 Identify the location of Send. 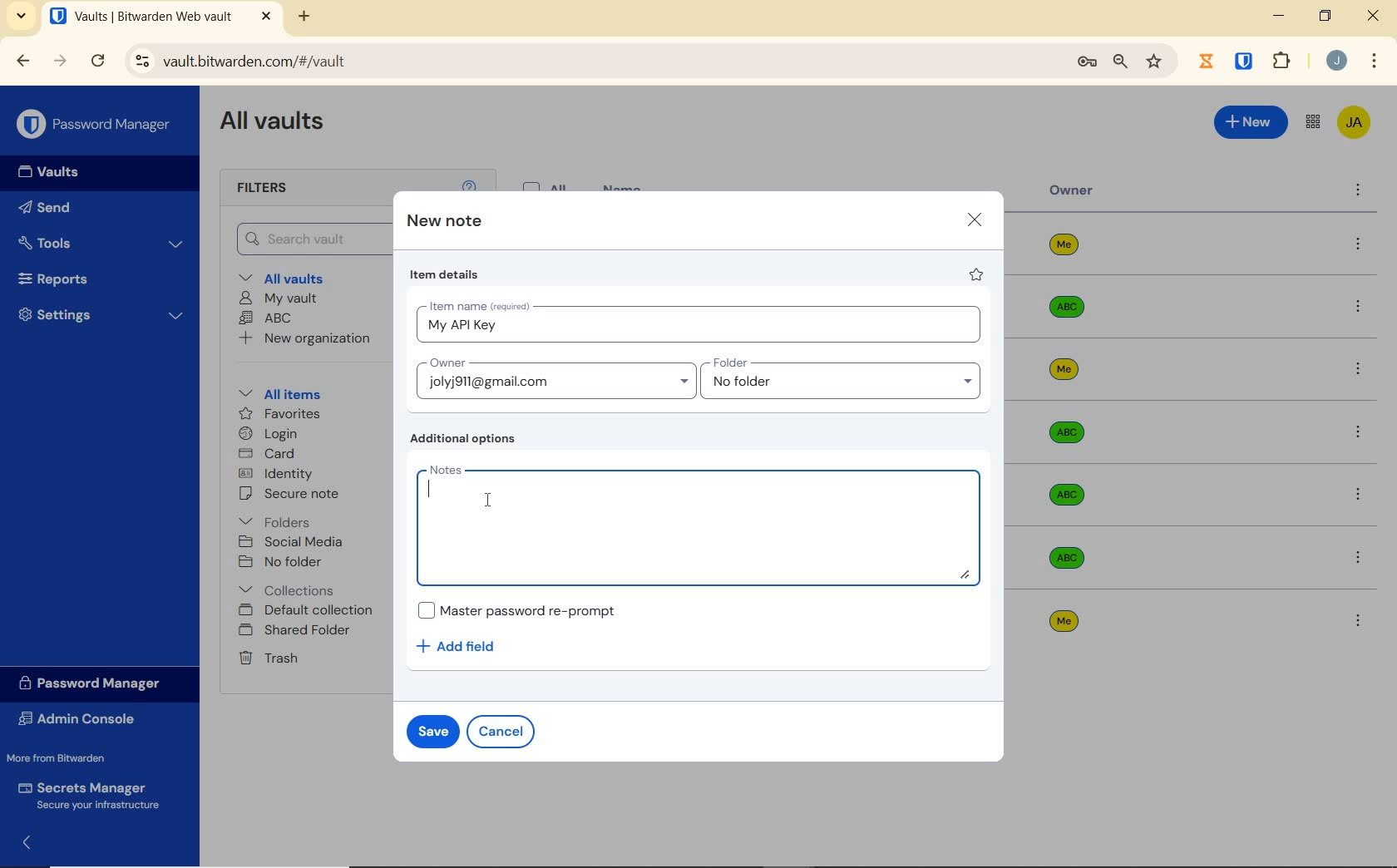
(76, 210).